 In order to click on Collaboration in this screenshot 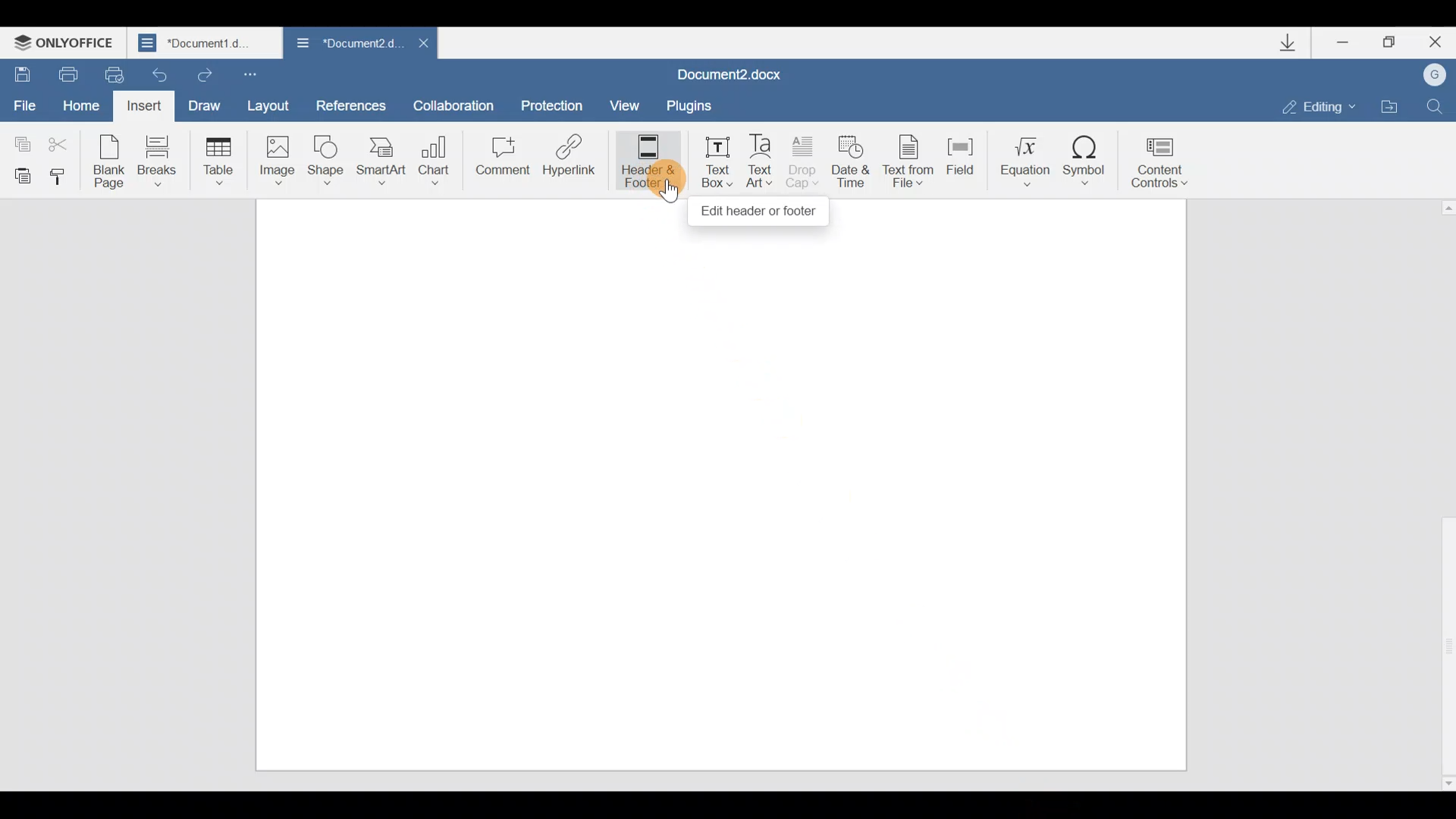, I will do `click(459, 104)`.